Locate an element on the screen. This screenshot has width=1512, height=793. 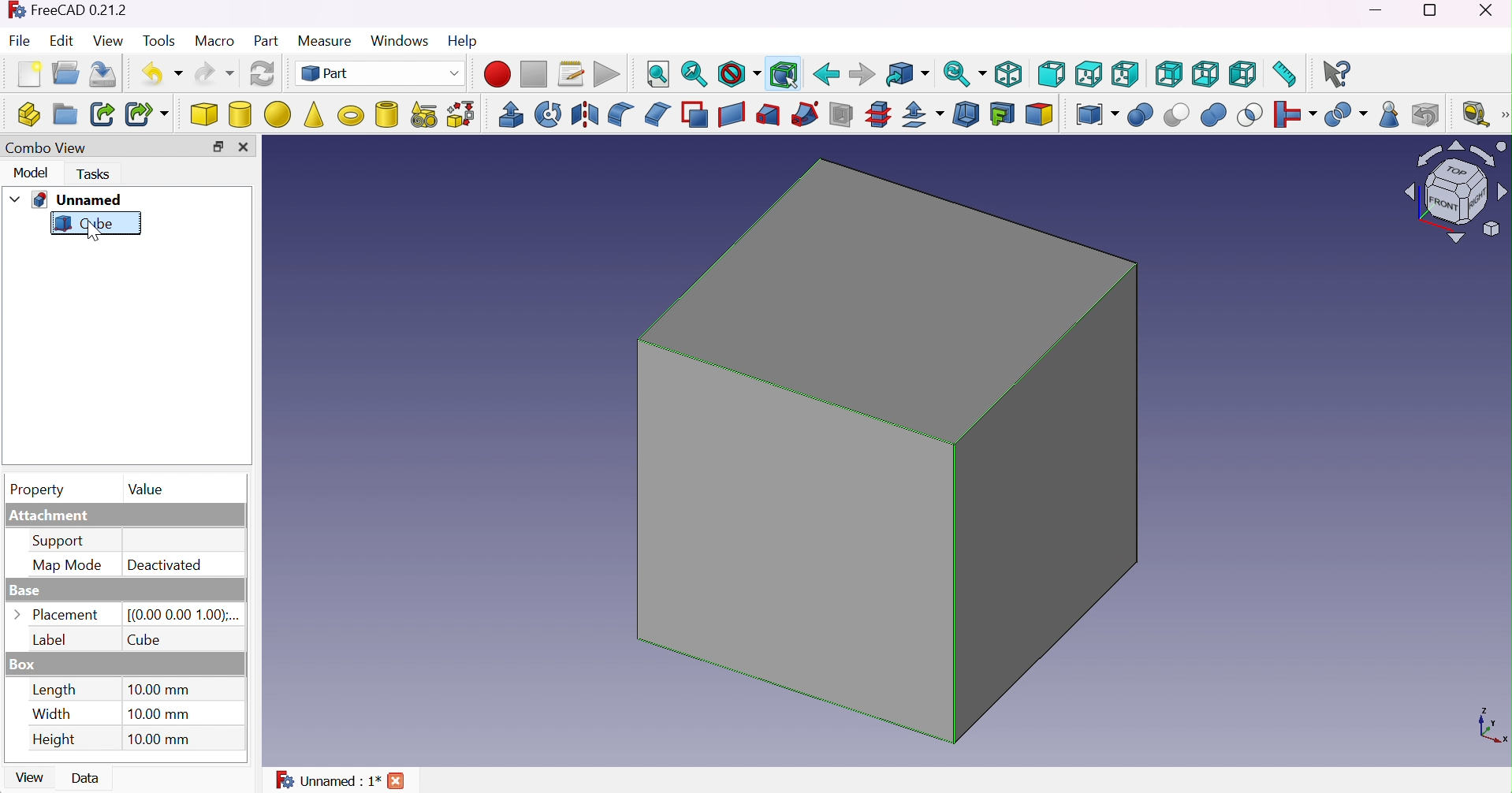
Length is located at coordinates (55, 690).